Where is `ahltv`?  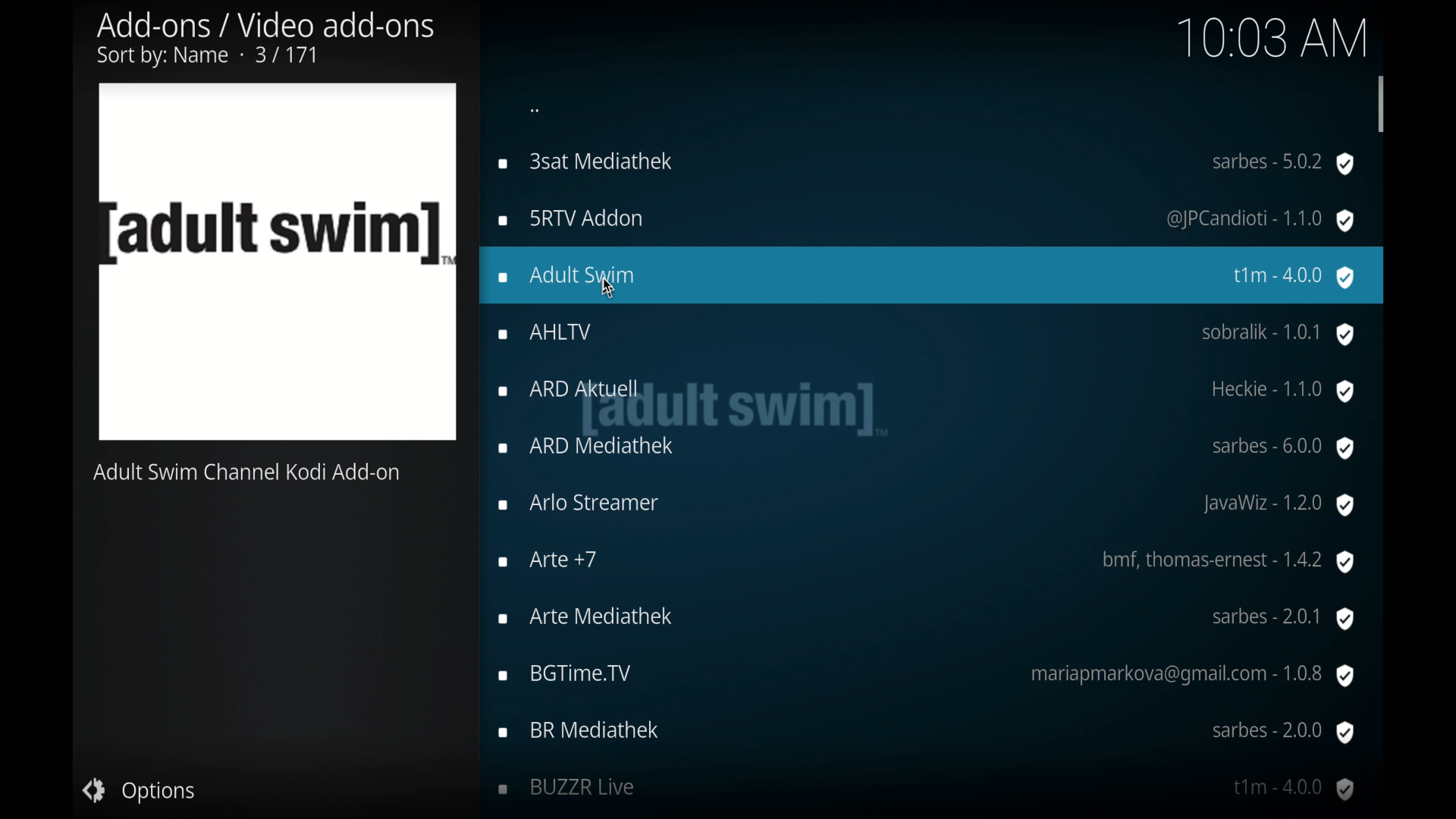
ahltv is located at coordinates (927, 335).